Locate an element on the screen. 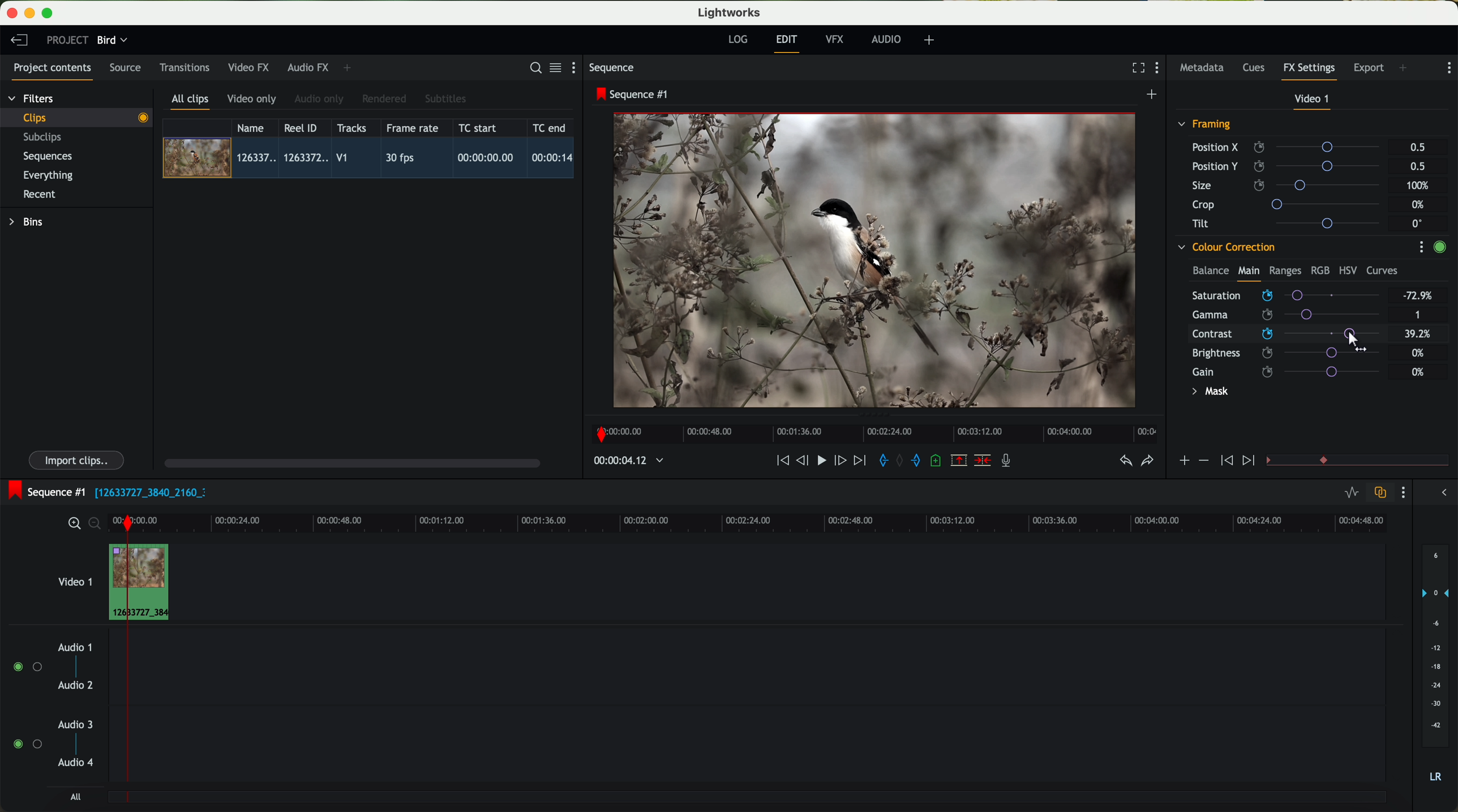 This screenshot has width=1458, height=812. fx settings is located at coordinates (1309, 71).